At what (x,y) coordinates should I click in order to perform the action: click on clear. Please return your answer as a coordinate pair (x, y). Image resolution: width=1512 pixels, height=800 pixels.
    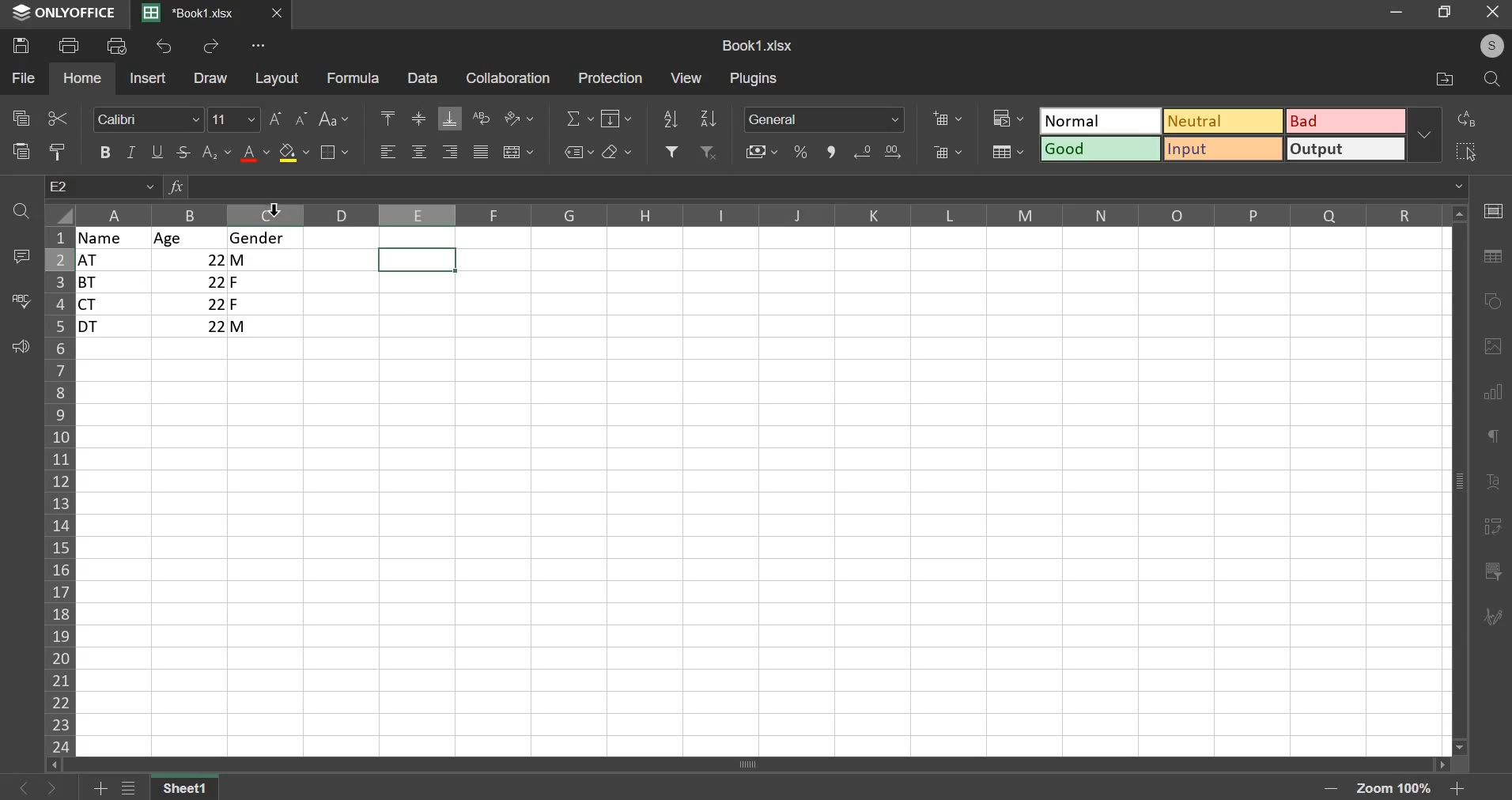
    Looking at the image, I should click on (617, 151).